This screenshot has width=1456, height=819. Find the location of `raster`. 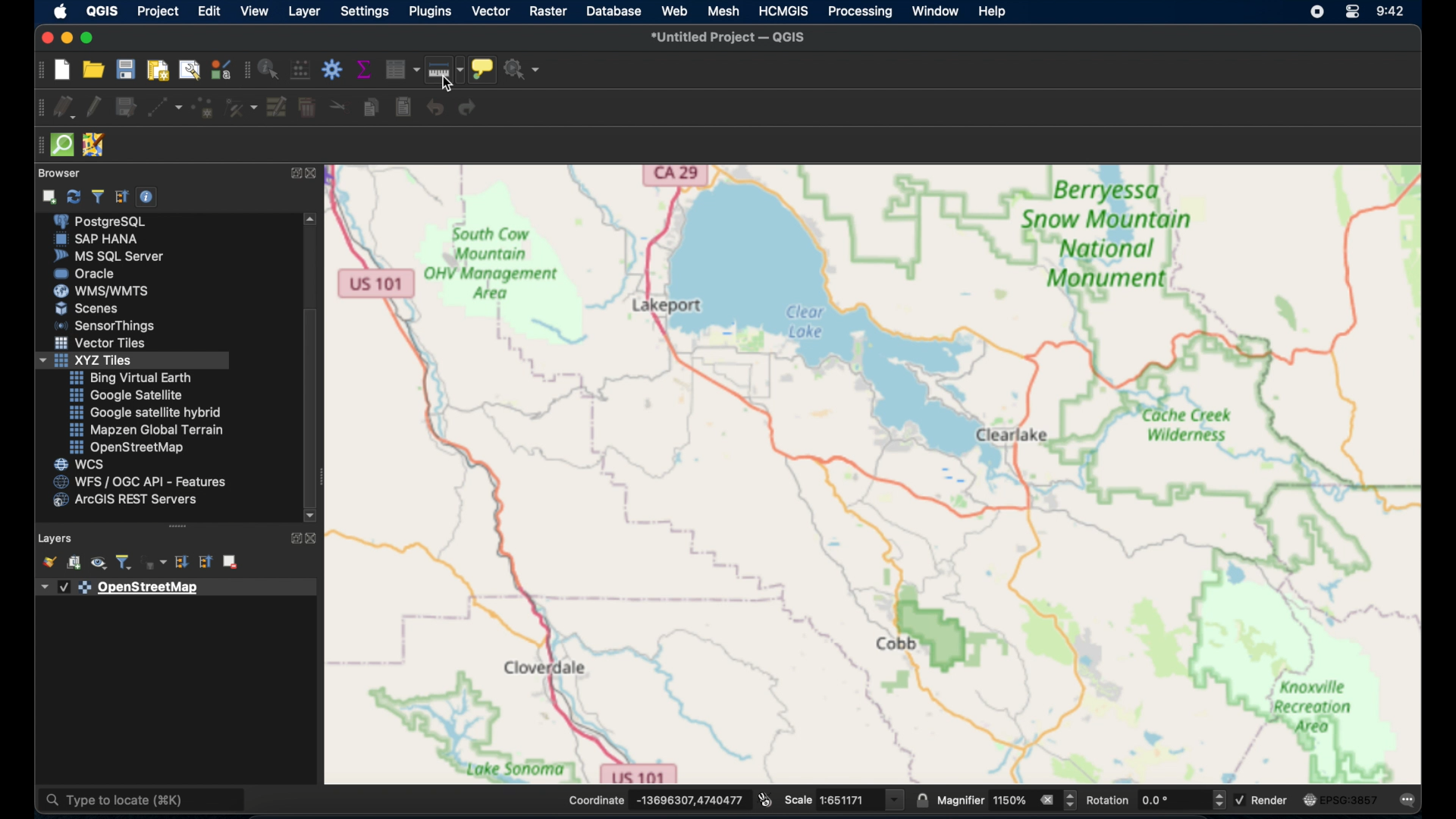

raster is located at coordinates (548, 11).